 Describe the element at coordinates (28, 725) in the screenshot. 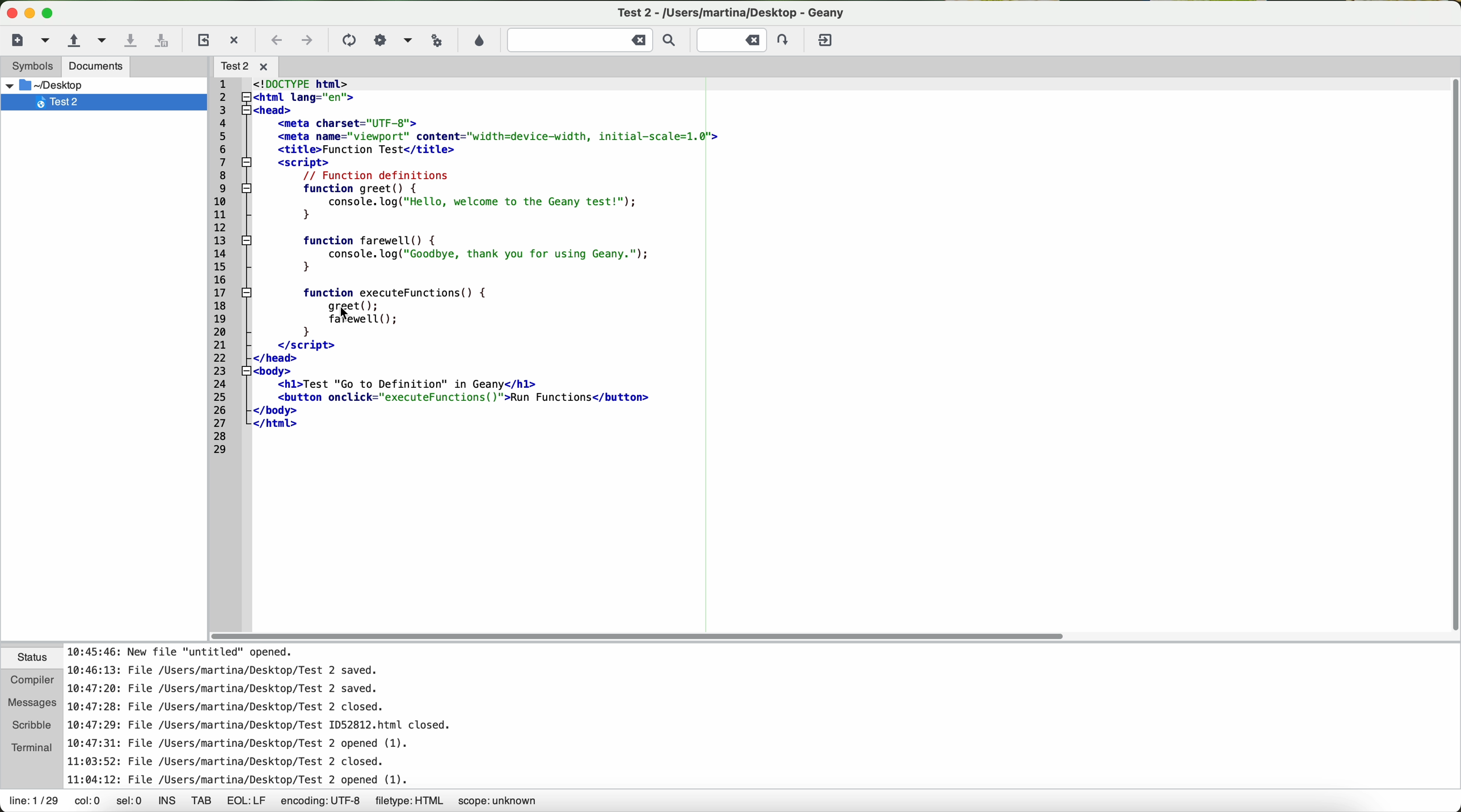

I see `scribble` at that location.